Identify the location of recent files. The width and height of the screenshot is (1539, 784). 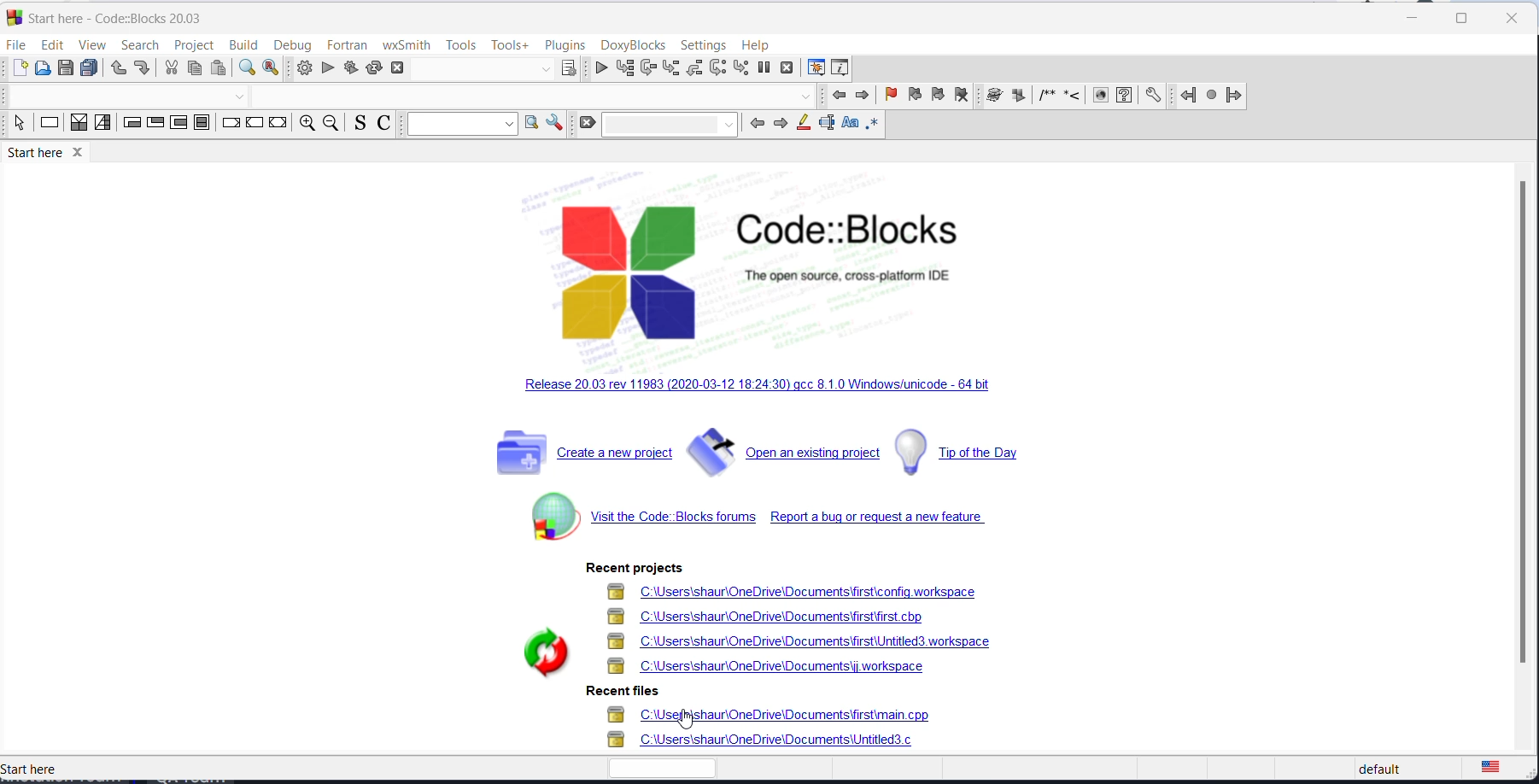
(783, 731).